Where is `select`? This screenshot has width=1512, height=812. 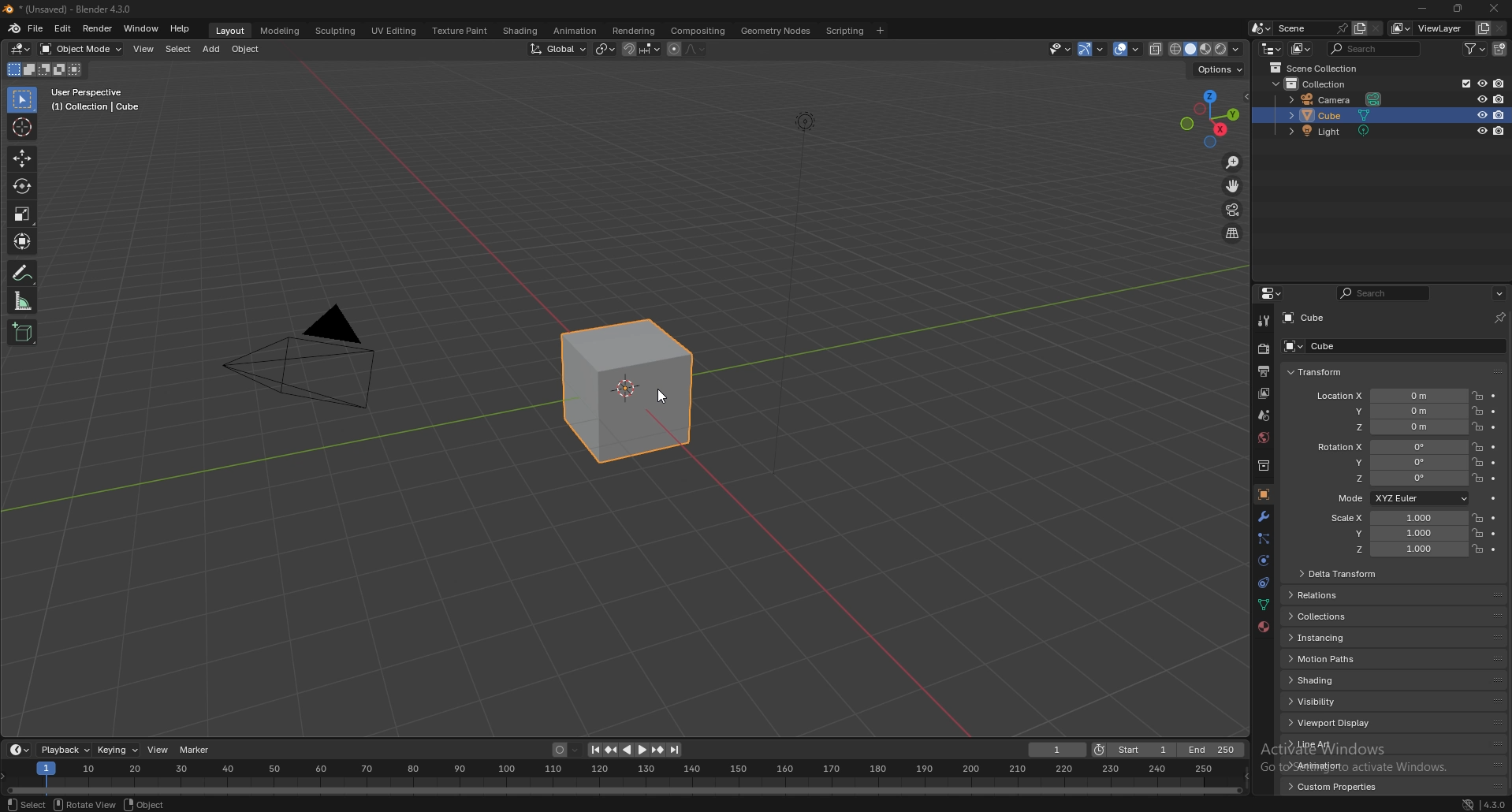 select is located at coordinates (25, 100).